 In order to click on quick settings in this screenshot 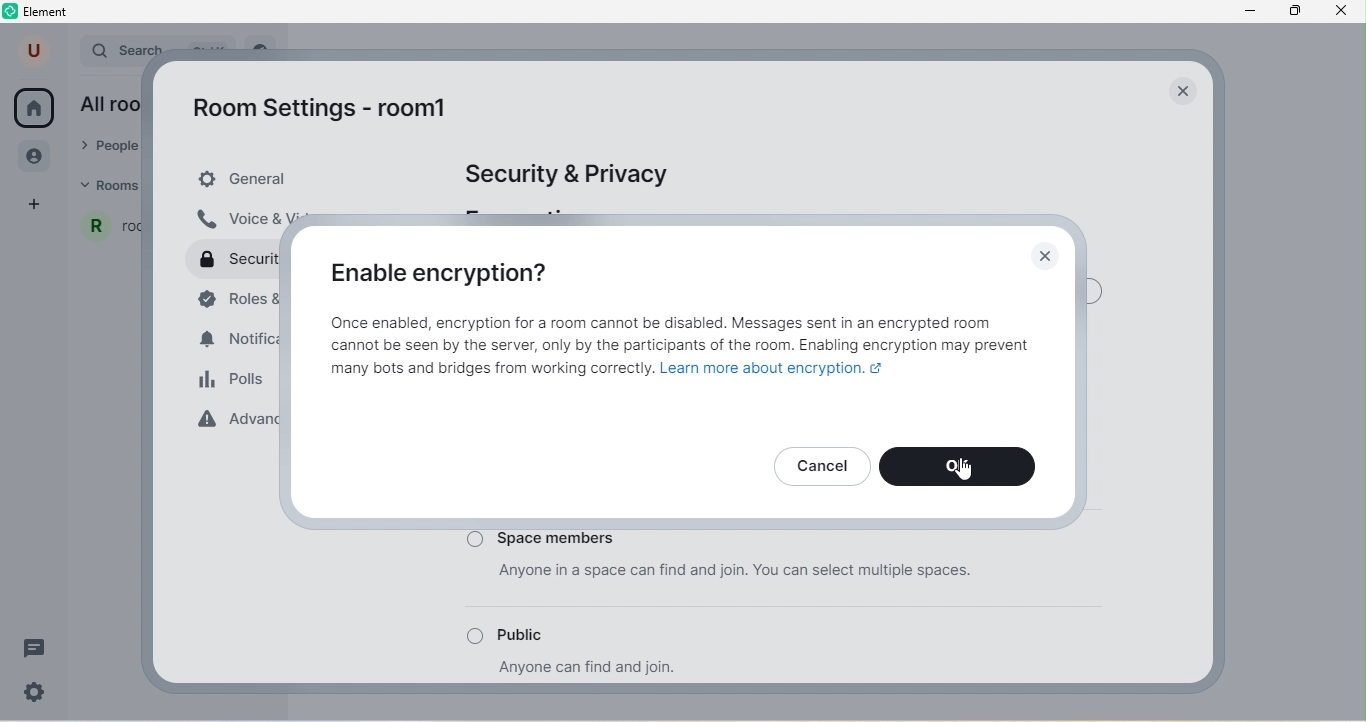, I will do `click(41, 693)`.